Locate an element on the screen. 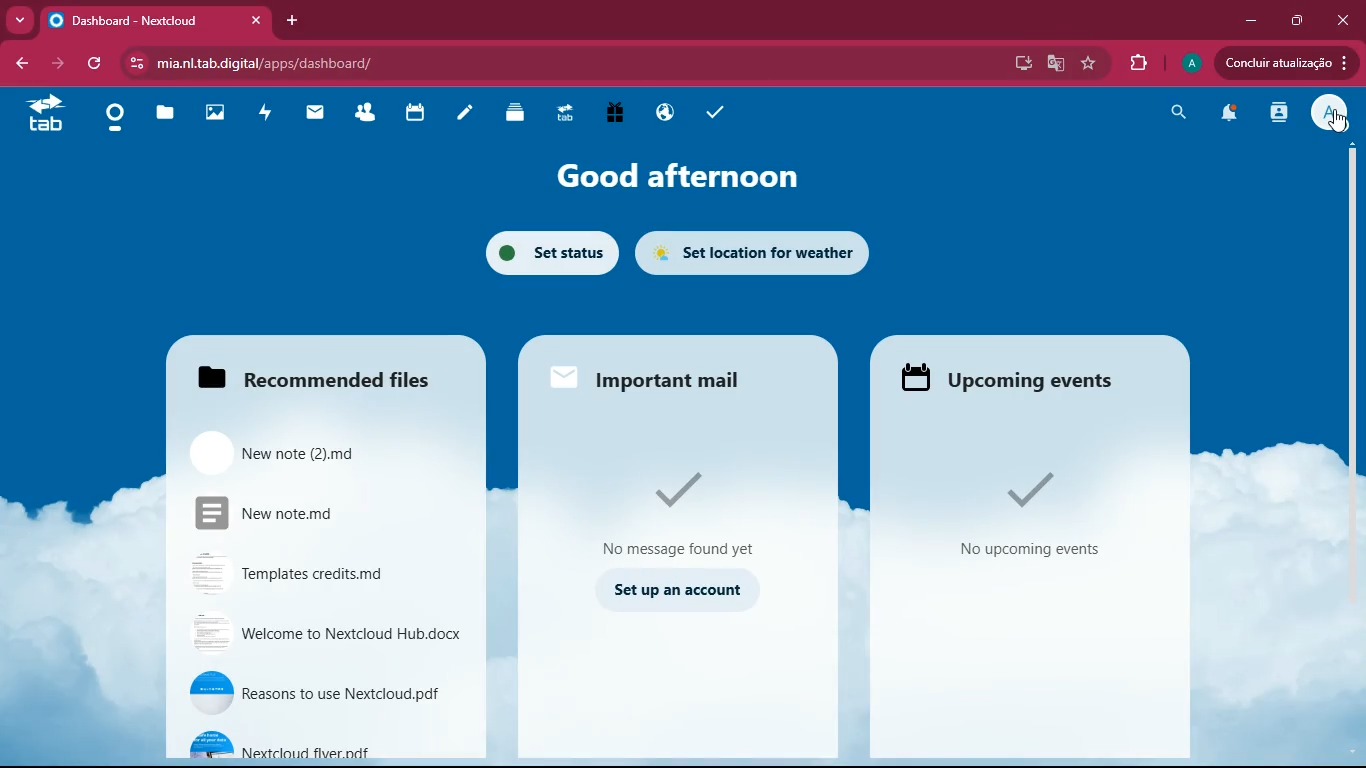 This screenshot has height=768, width=1366. mail is located at coordinates (314, 115).